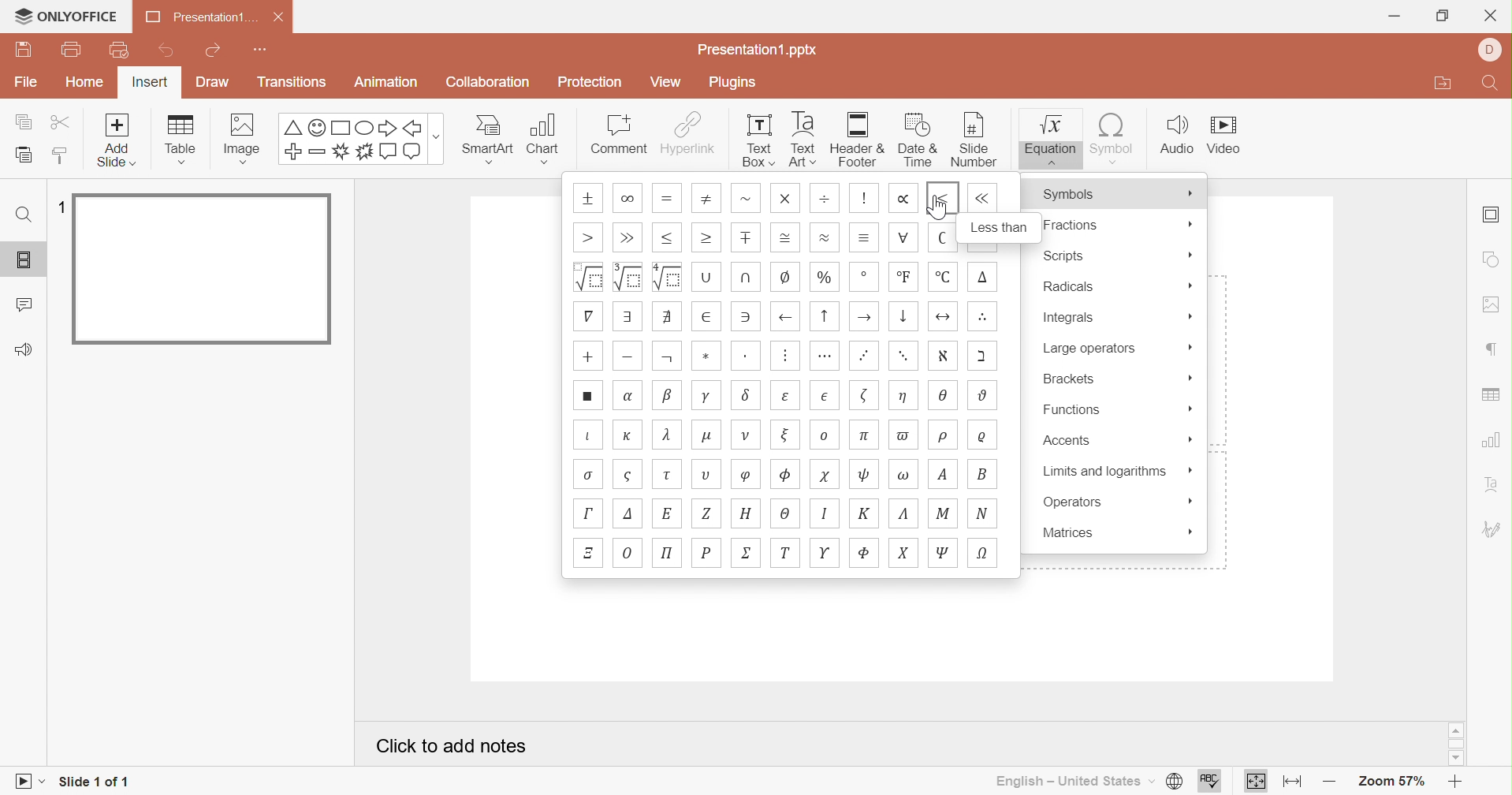  What do you see at coordinates (214, 52) in the screenshot?
I see `Redo` at bounding box center [214, 52].